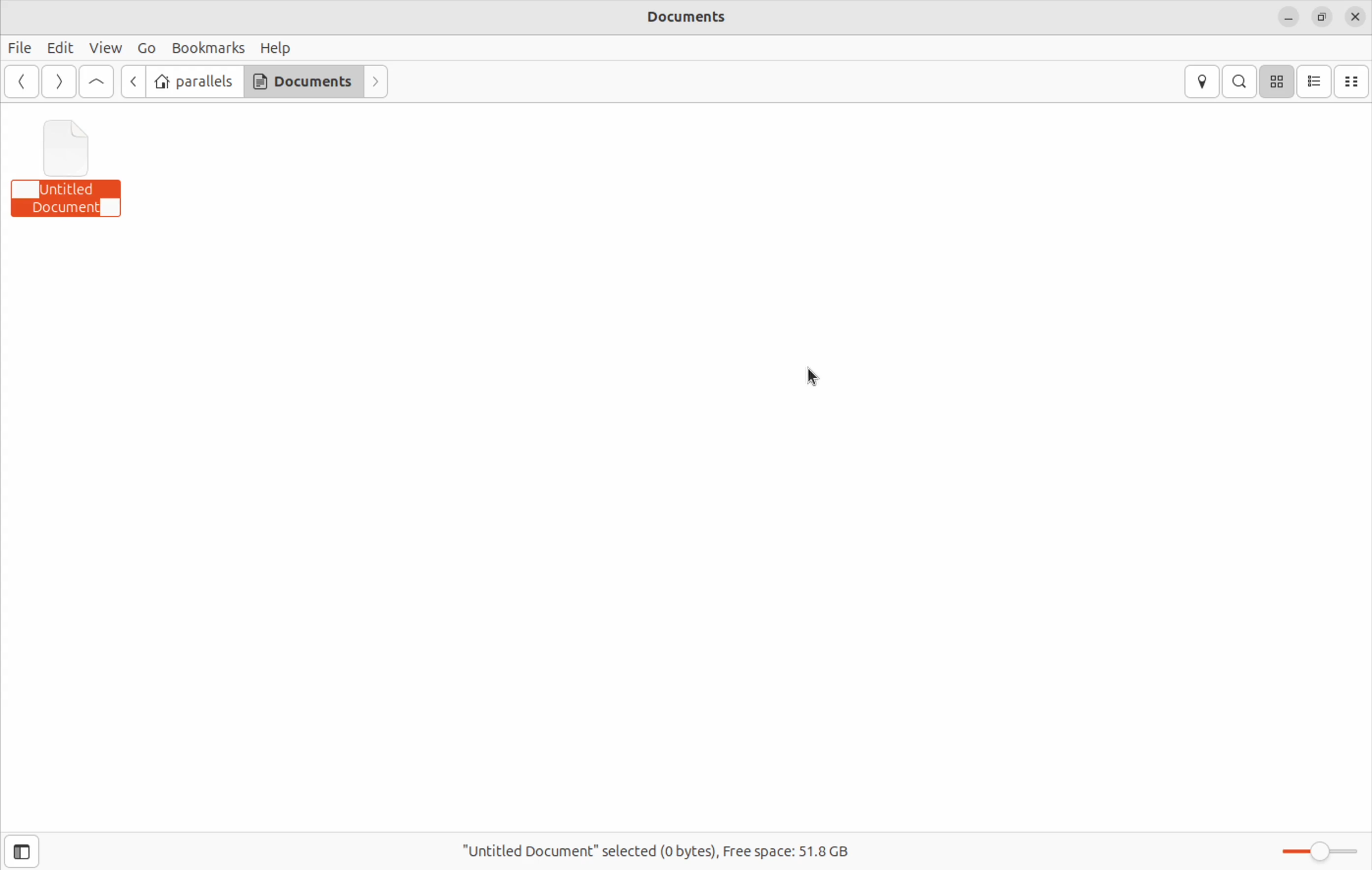  Describe the element at coordinates (57, 82) in the screenshot. I see `next` at that location.